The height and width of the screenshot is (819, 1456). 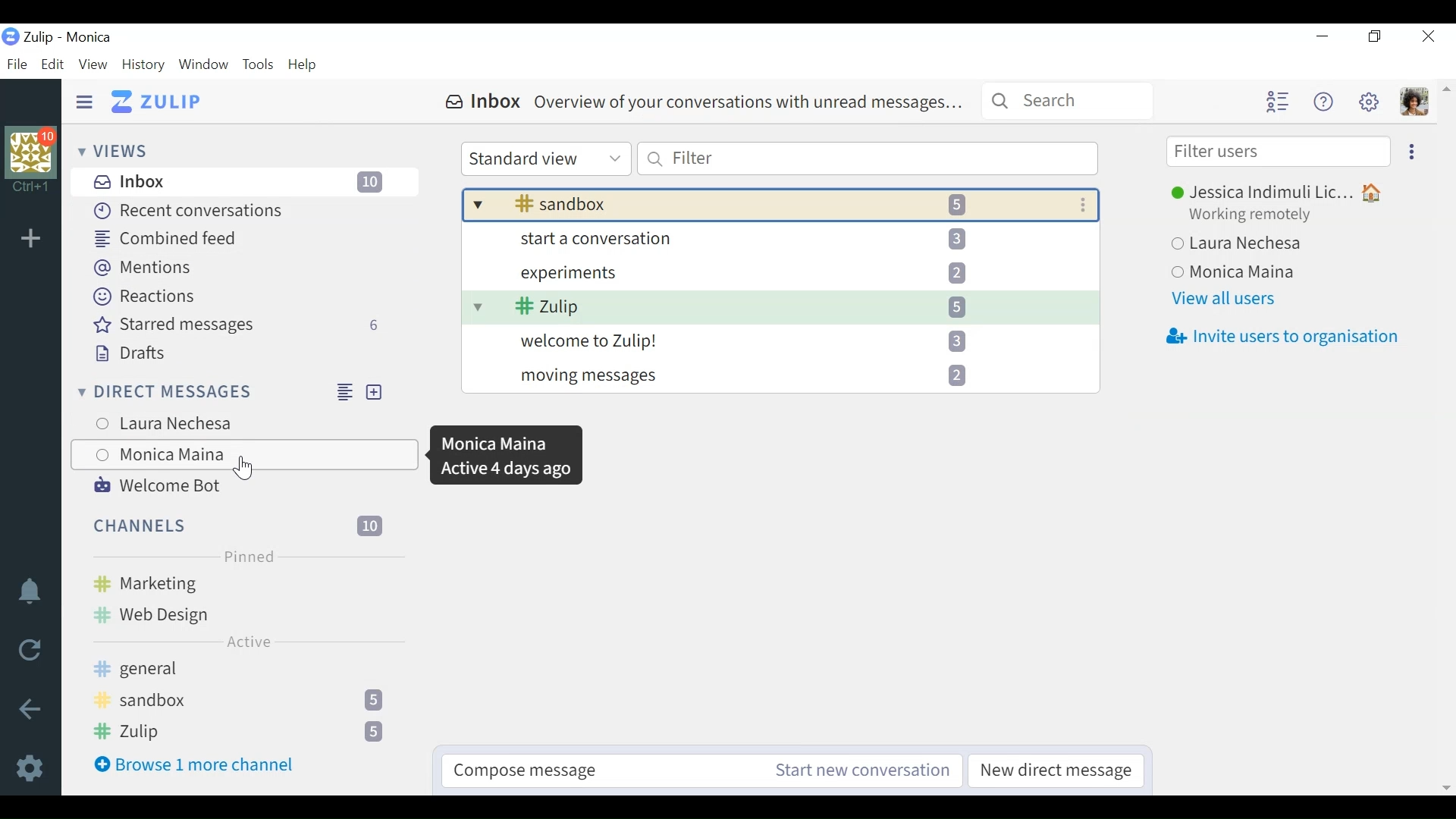 I want to click on History, so click(x=146, y=65).